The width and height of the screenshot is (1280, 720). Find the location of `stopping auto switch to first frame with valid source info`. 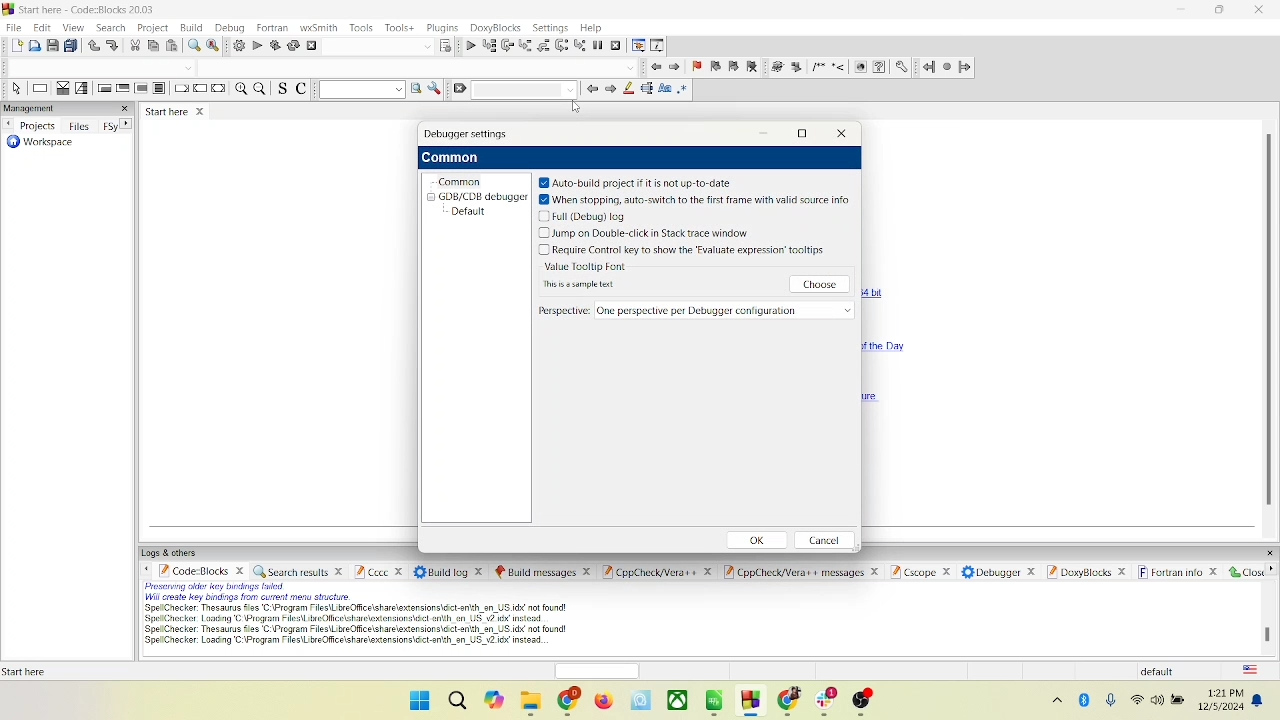

stopping auto switch to first frame with valid source info is located at coordinates (698, 200).